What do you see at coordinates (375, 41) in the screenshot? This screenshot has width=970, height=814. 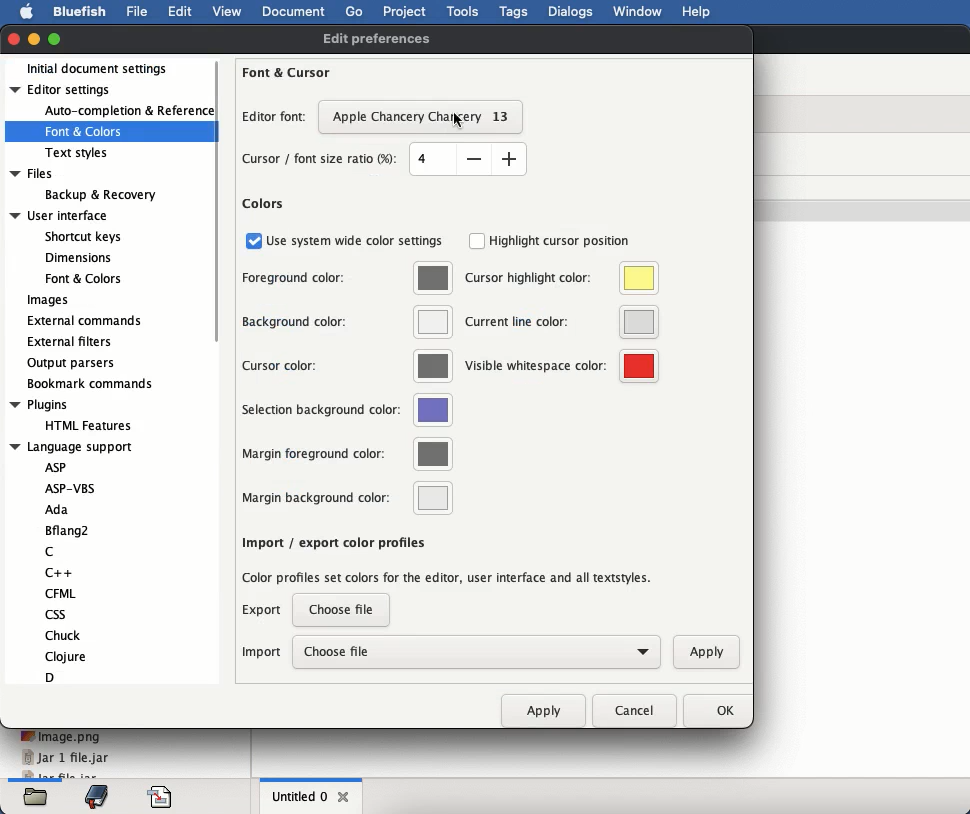 I see `edit preferences ` at bounding box center [375, 41].